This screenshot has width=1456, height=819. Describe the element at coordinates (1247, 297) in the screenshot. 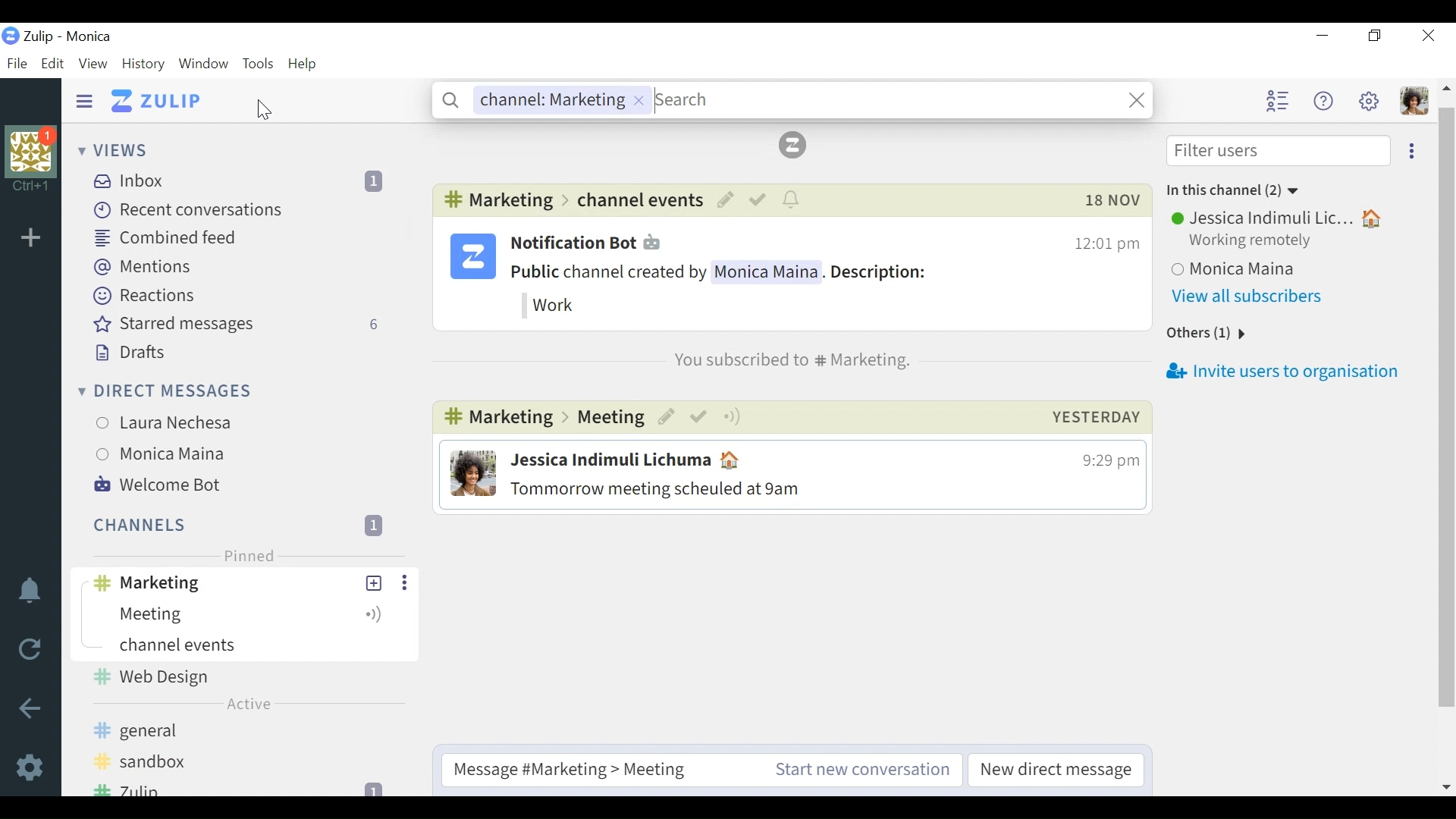

I see `View all subscribers` at that location.